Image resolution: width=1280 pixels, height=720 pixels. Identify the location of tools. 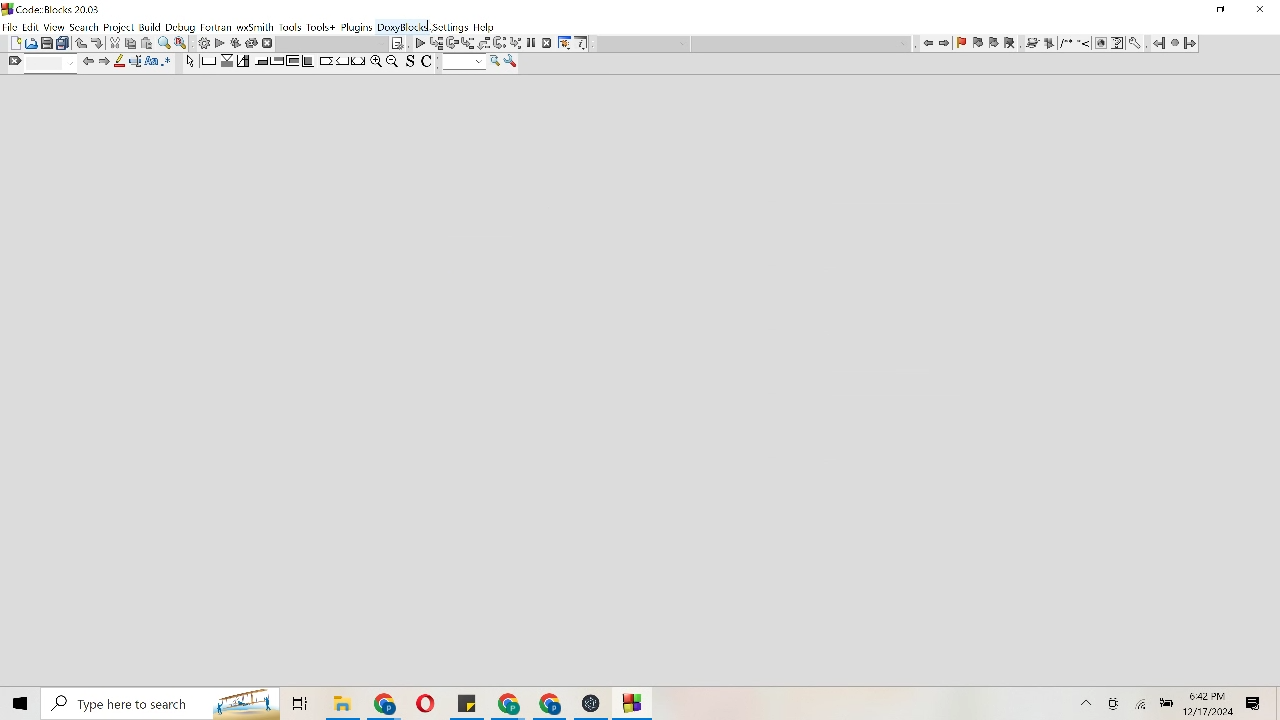
(1137, 44).